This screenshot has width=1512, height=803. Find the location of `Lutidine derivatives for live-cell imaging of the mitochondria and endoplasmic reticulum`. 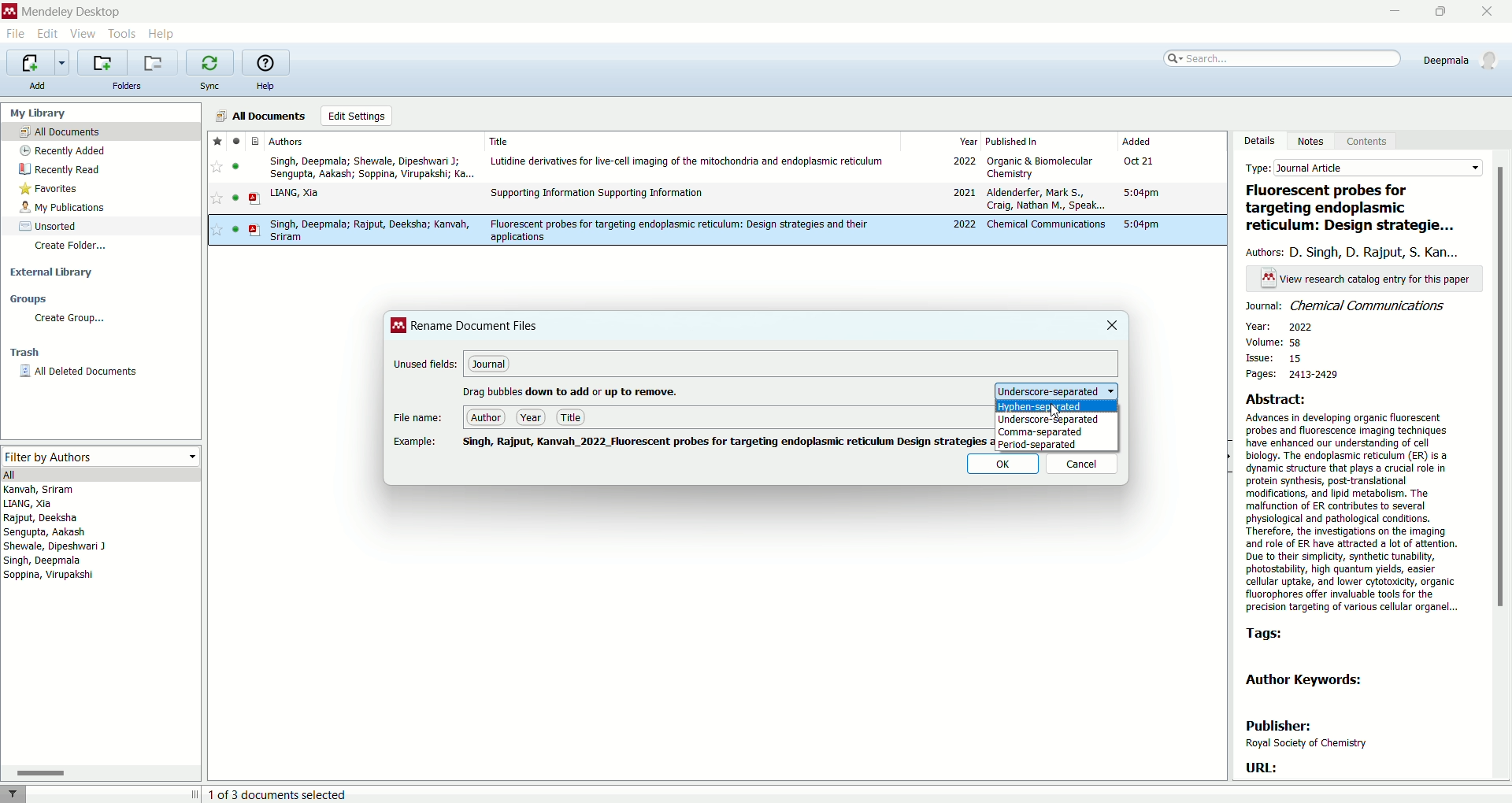

Lutidine derivatives for live-cell imaging of the mitochondria and endoplasmic reticulum is located at coordinates (688, 162).